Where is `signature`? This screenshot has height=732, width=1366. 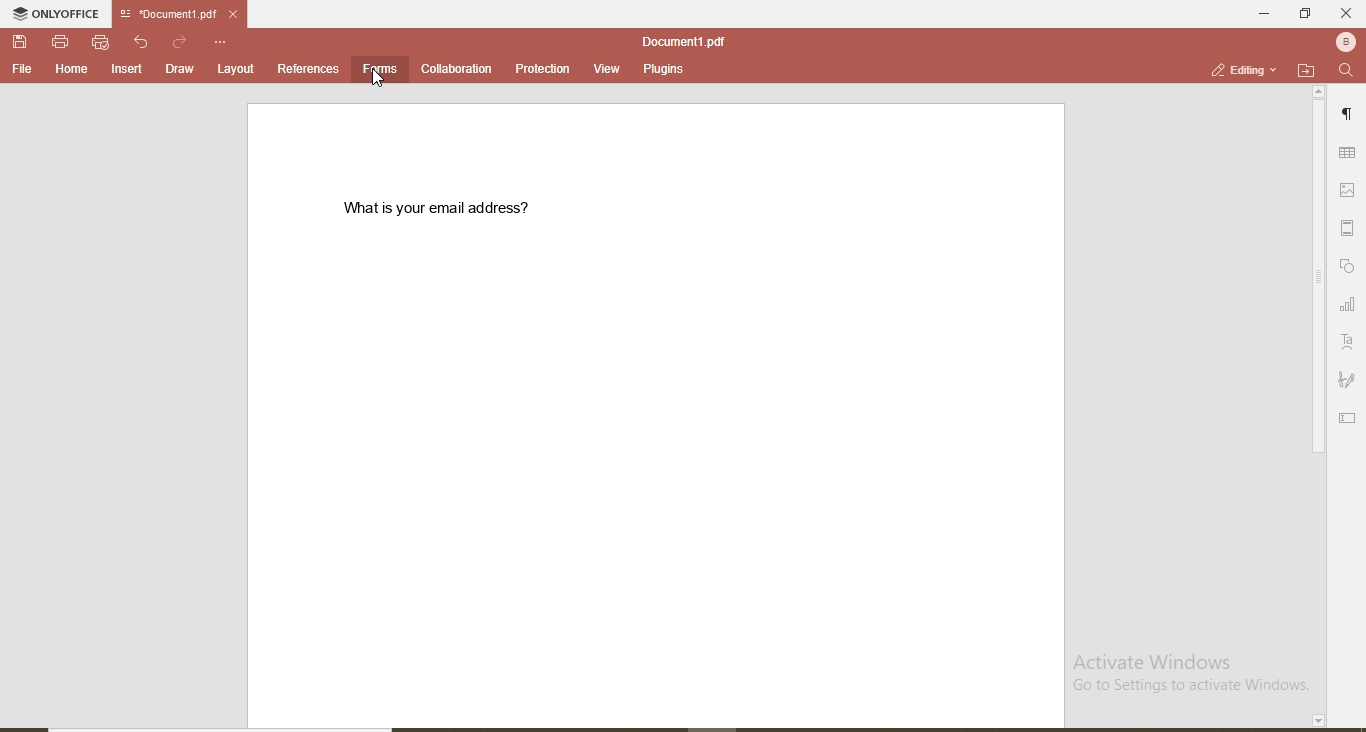 signature is located at coordinates (1347, 381).